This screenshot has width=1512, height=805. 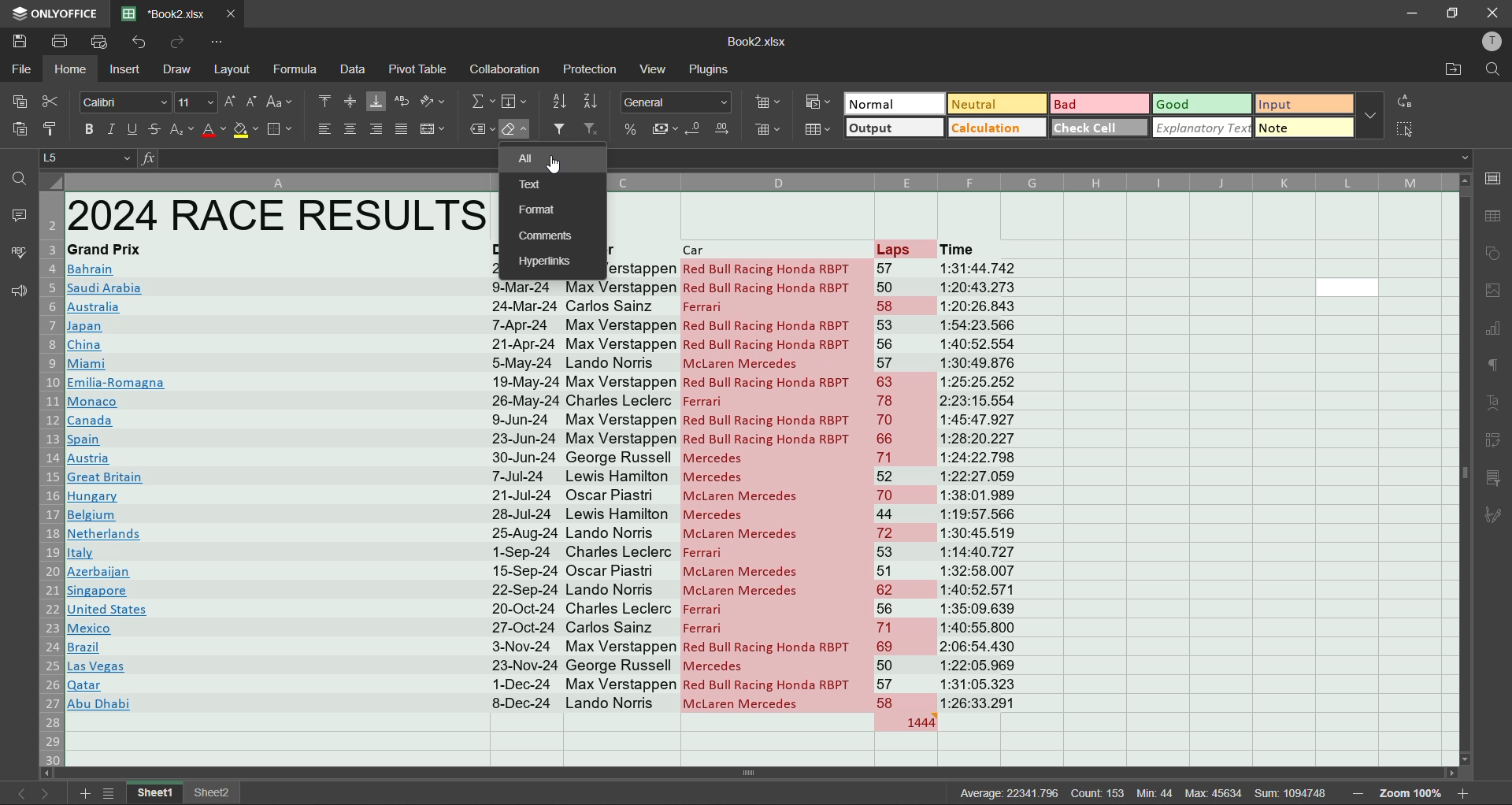 What do you see at coordinates (1371, 116) in the screenshot?
I see `more options` at bounding box center [1371, 116].